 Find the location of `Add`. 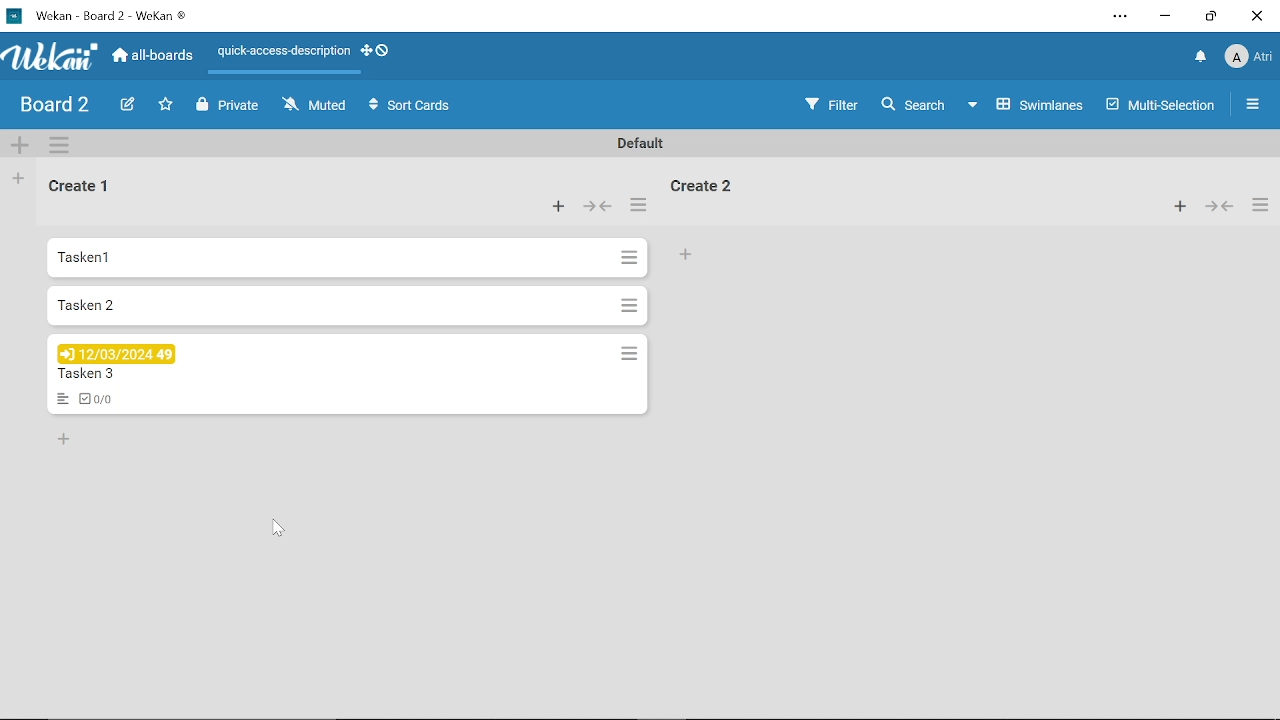

Add is located at coordinates (19, 177).